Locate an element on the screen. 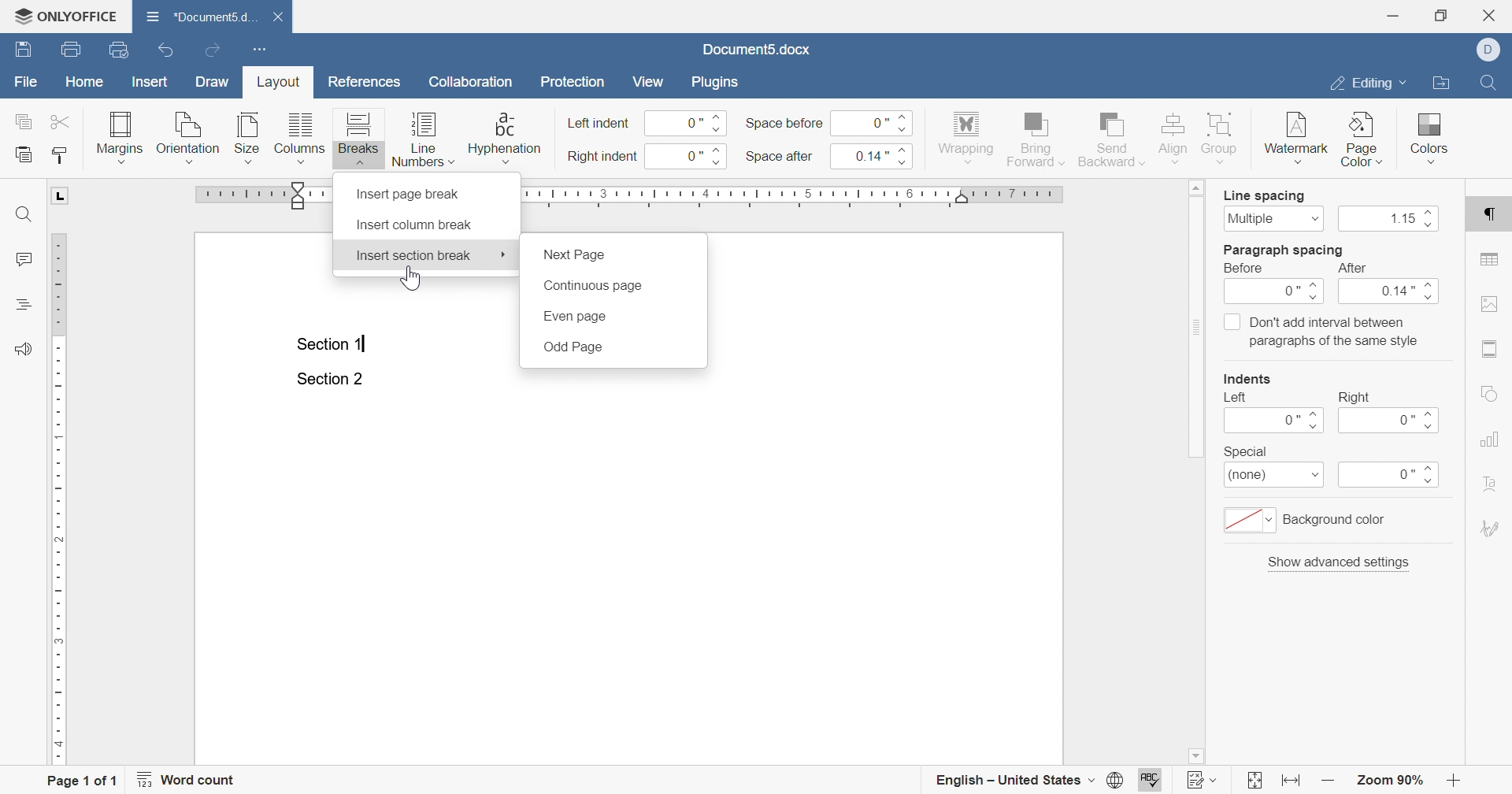 The image size is (1512, 794). before is located at coordinates (1247, 269).